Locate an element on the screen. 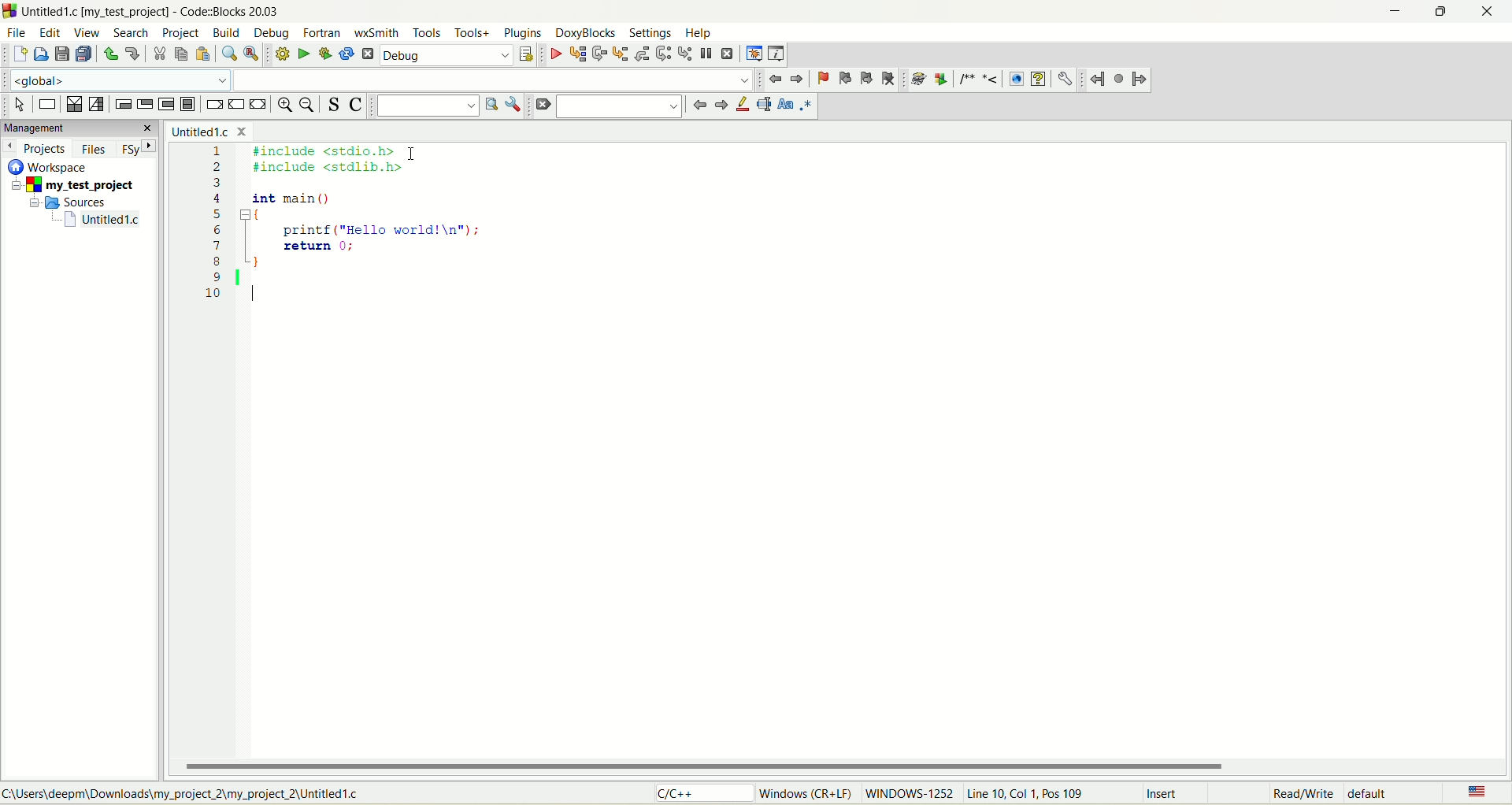 Image resolution: width=1512 pixels, height=805 pixels. abort is located at coordinates (367, 54).